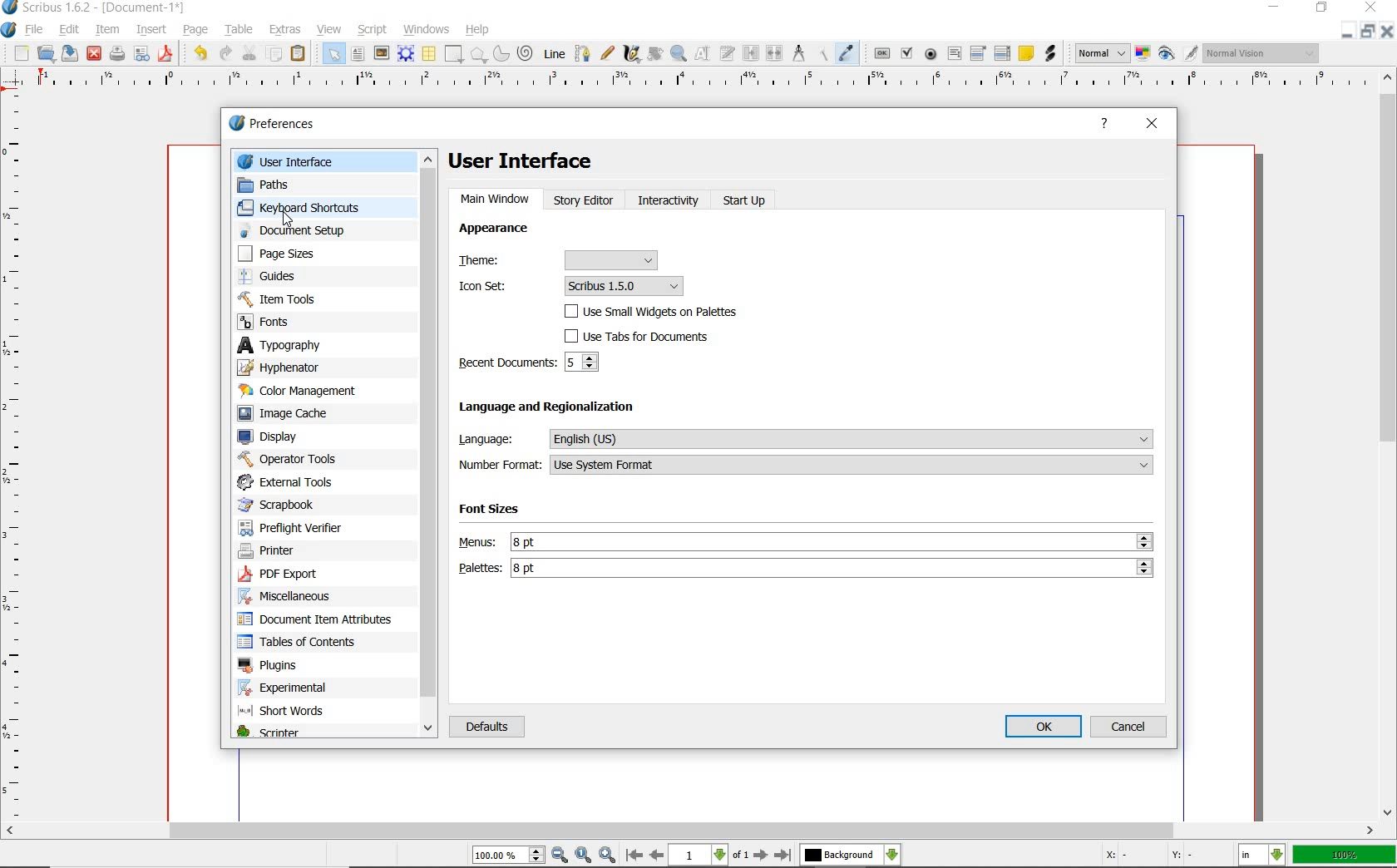 This screenshot has height=868, width=1397. Describe the element at coordinates (486, 729) in the screenshot. I see `defaults` at that location.